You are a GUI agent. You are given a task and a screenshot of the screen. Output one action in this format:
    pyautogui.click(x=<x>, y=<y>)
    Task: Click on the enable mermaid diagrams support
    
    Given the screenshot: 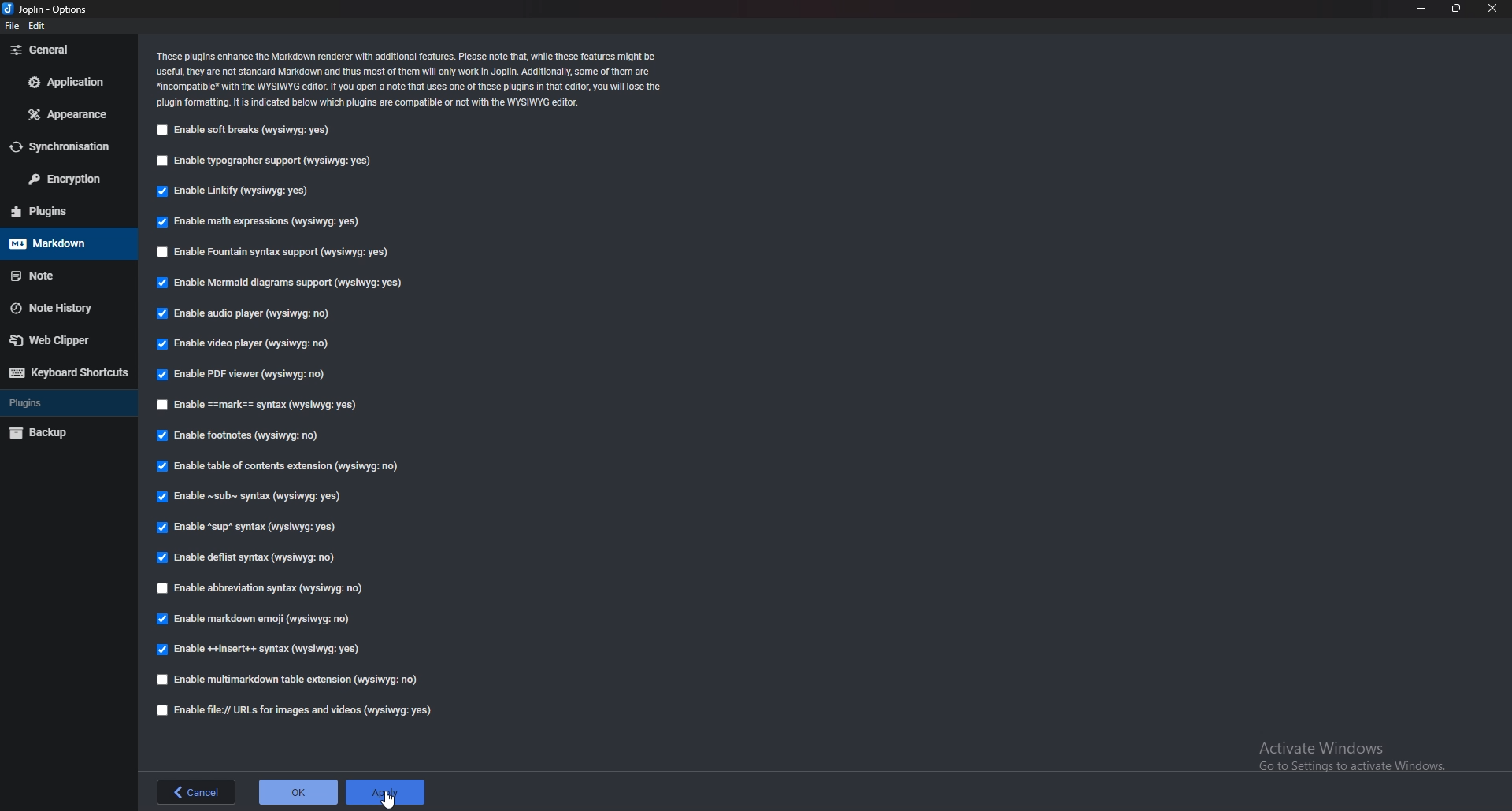 What is the action you would take?
    pyautogui.click(x=283, y=285)
    